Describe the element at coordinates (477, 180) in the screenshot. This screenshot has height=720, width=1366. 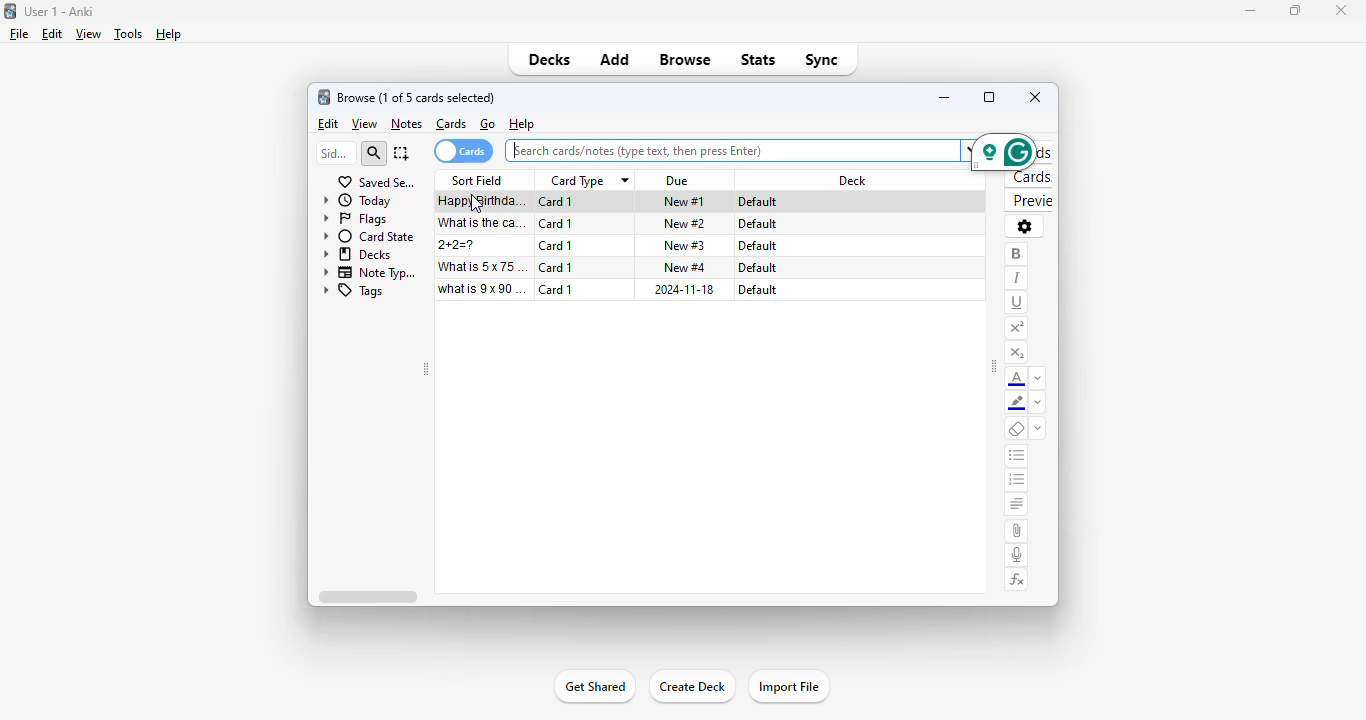
I see `sort field` at that location.